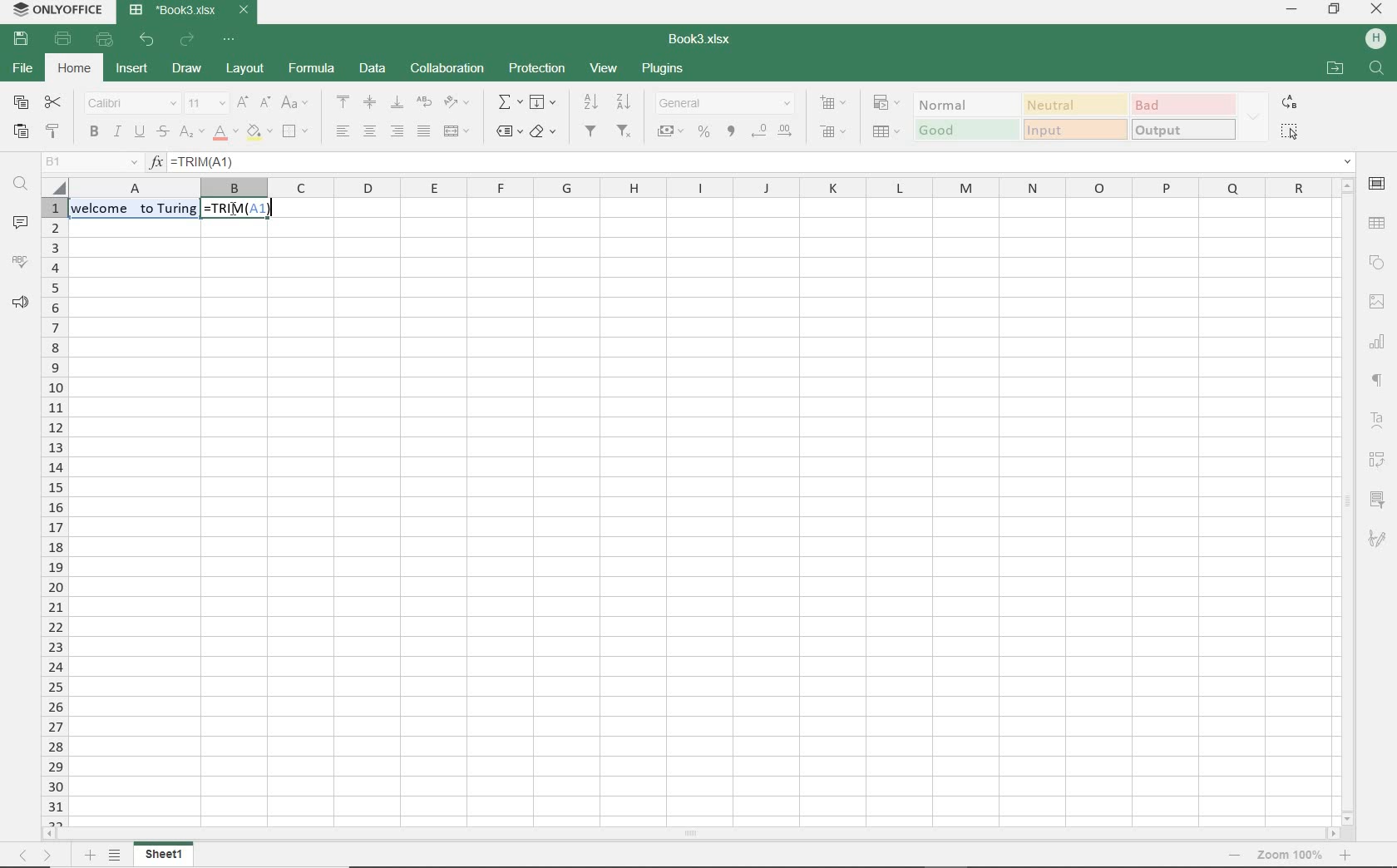  Describe the element at coordinates (19, 303) in the screenshot. I see `feedback & support` at that location.